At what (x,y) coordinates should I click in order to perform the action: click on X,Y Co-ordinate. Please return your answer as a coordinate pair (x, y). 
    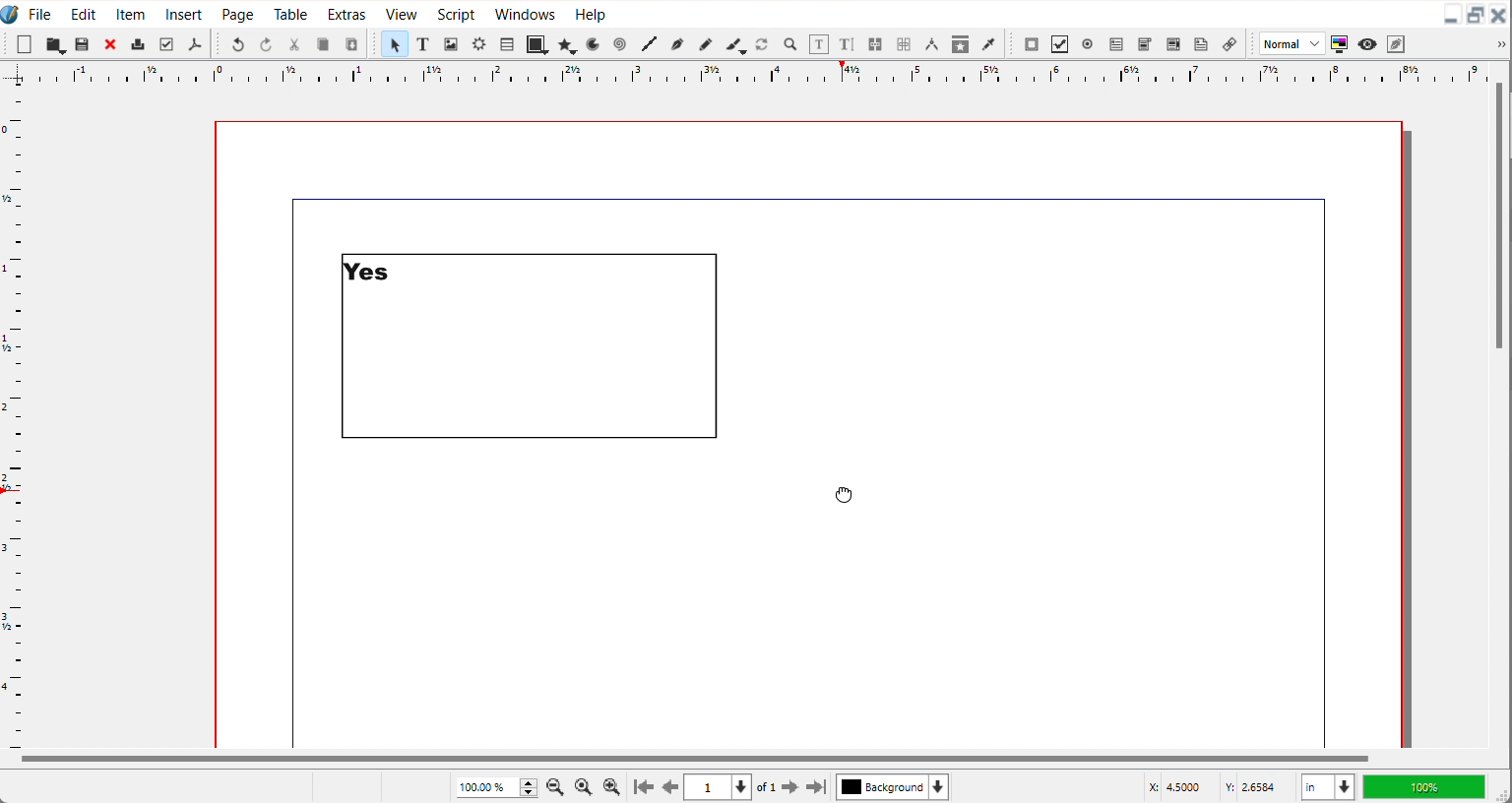
    Looking at the image, I should click on (1216, 786).